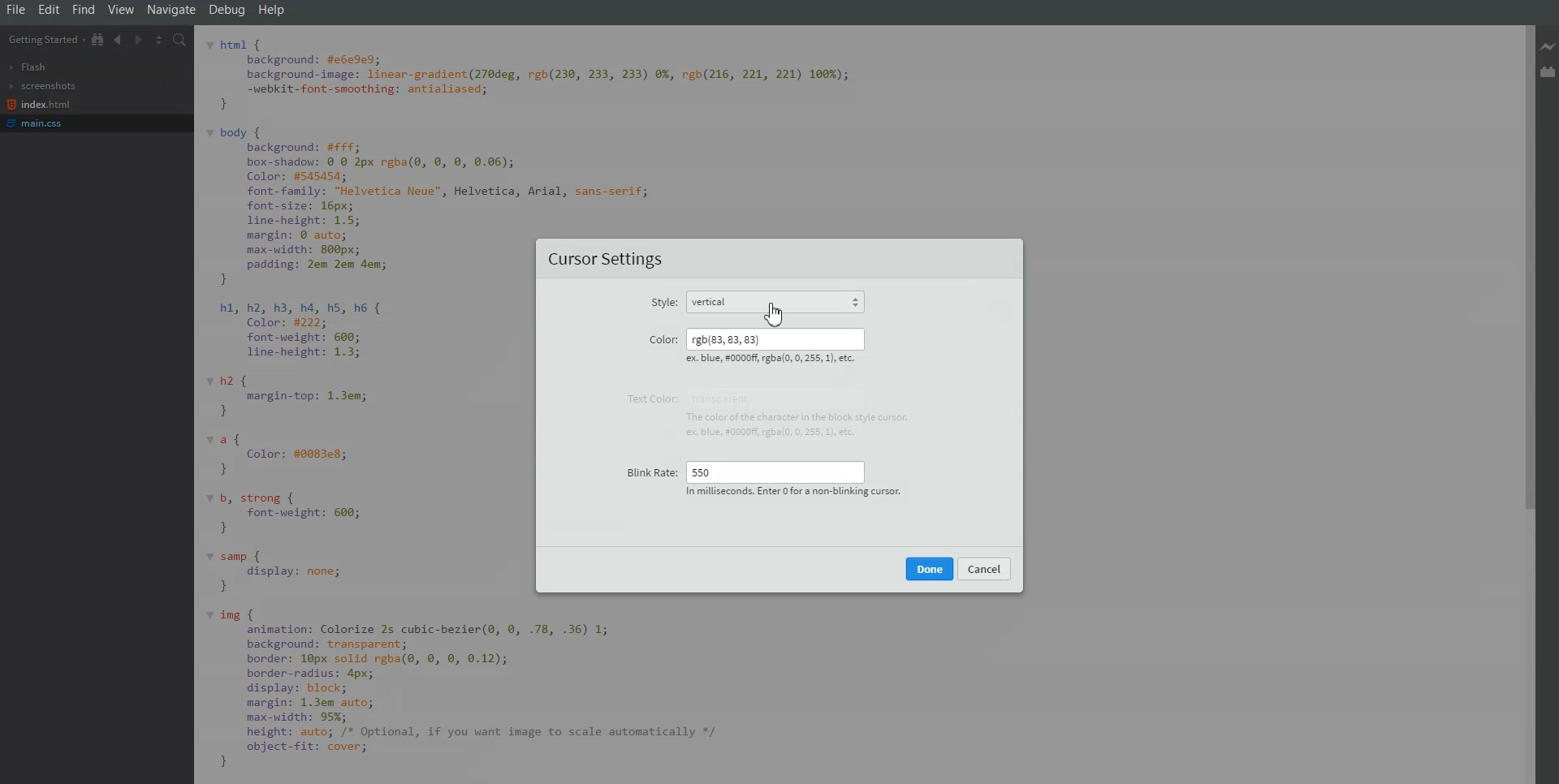 Image resolution: width=1559 pixels, height=784 pixels. What do you see at coordinates (1524, 404) in the screenshot?
I see `Vertical Scroll bar` at bounding box center [1524, 404].